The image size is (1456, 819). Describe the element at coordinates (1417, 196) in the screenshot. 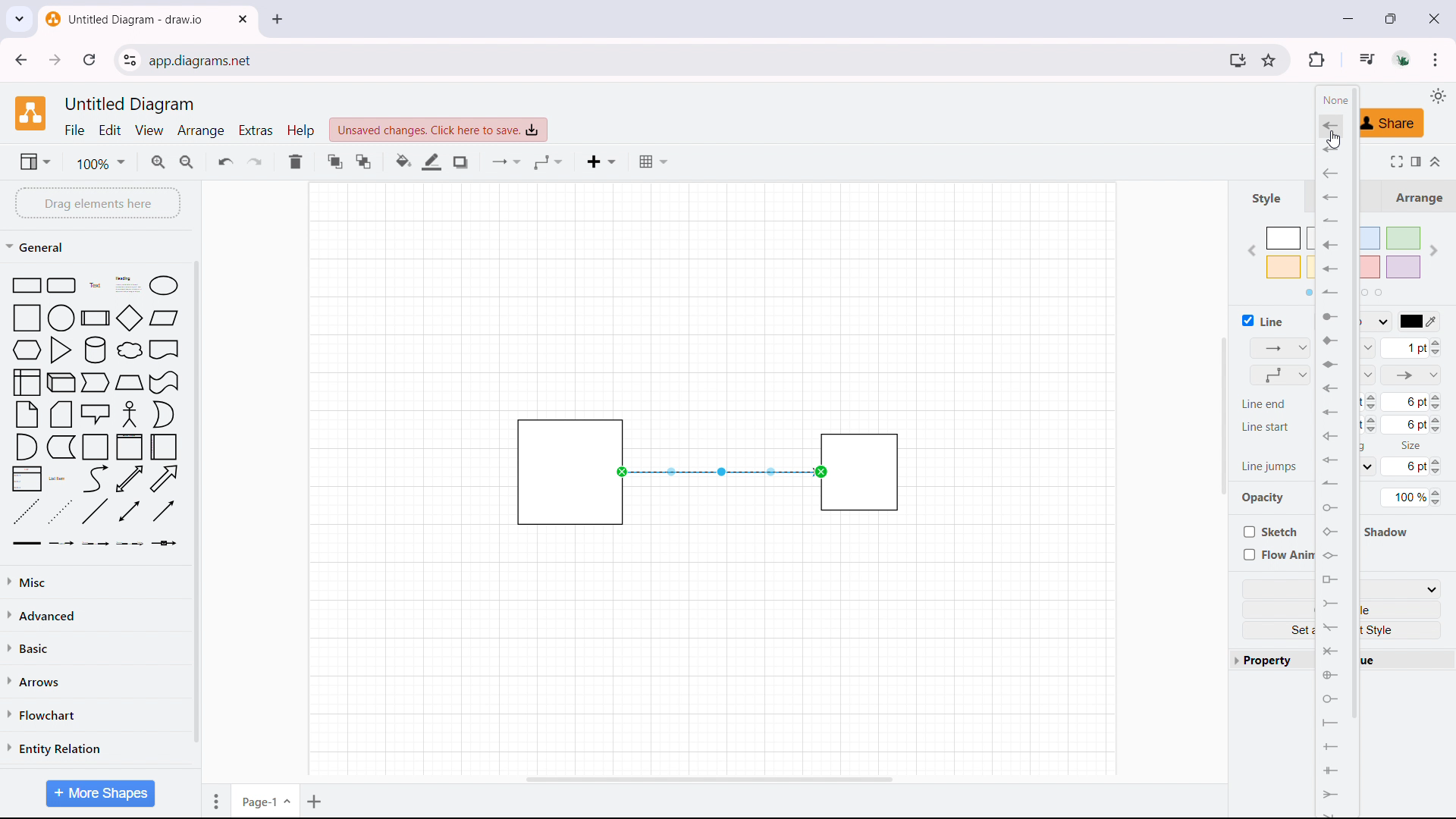

I see `arrange` at that location.